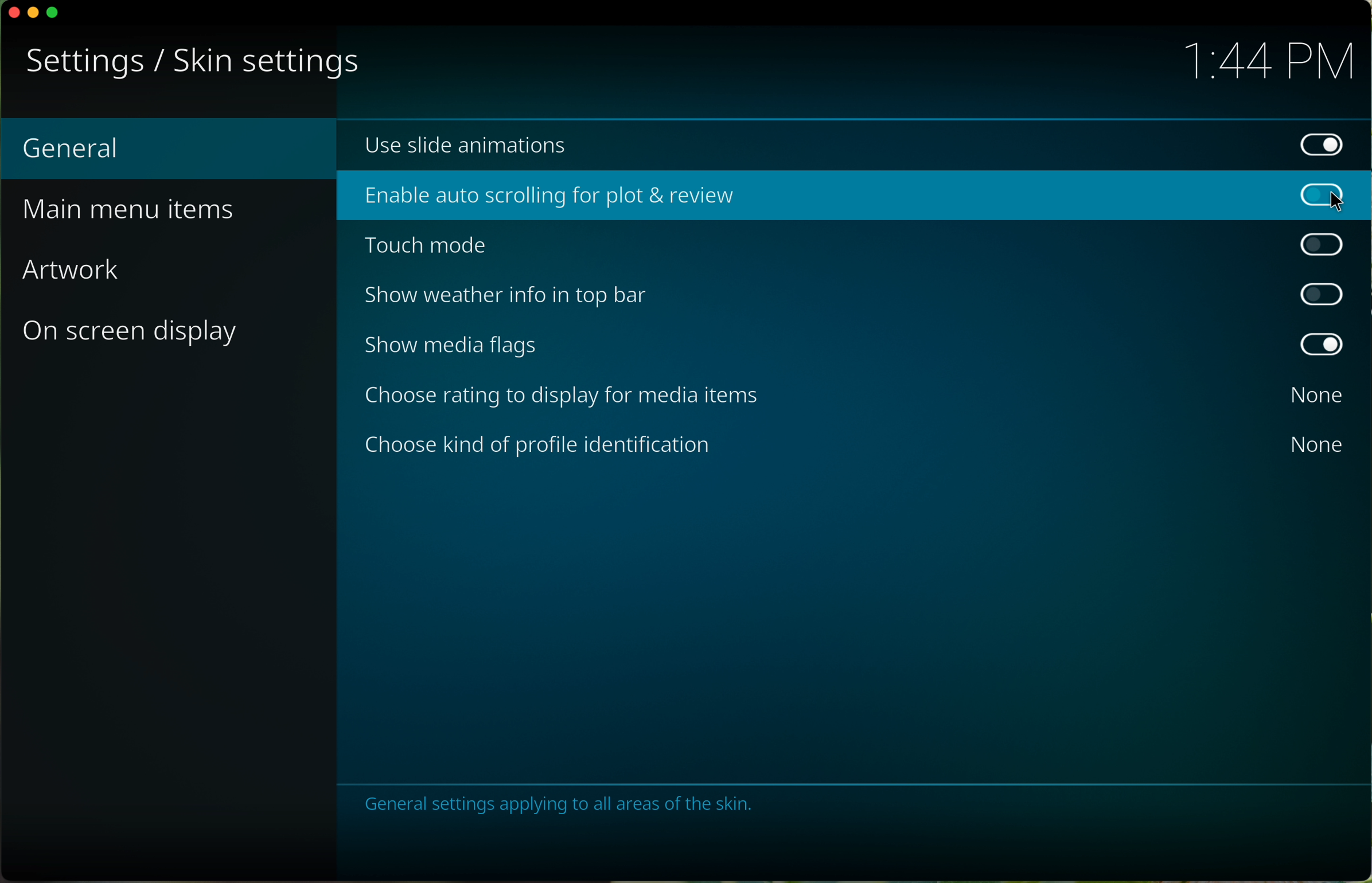 This screenshot has height=883, width=1372. What do you see at coordinates (1336, 199) in the screenshot?
I see `cursor` at bounding box center [1336, 199].